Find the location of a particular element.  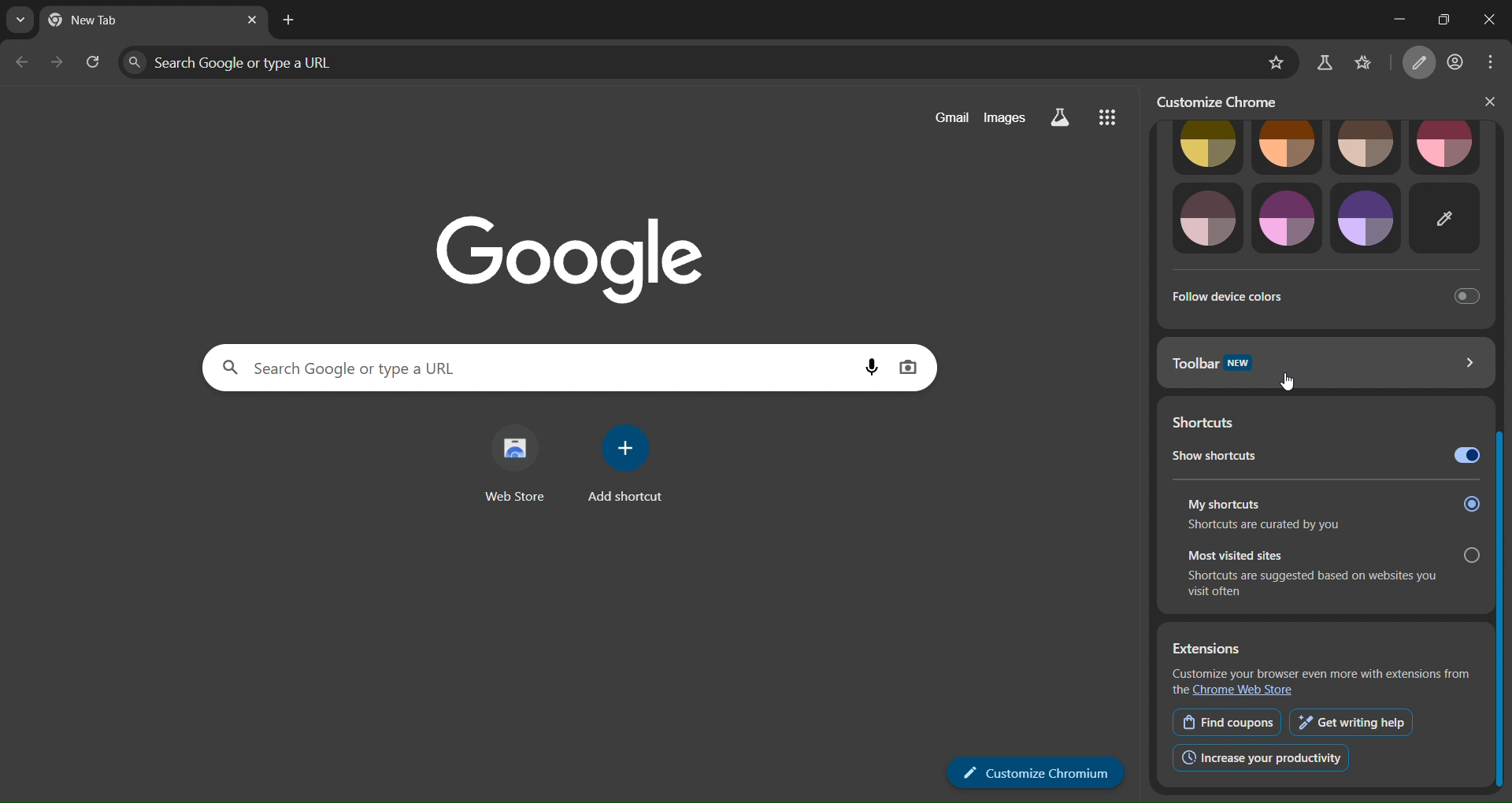

find coupons is located at coordinates (1225, 722).